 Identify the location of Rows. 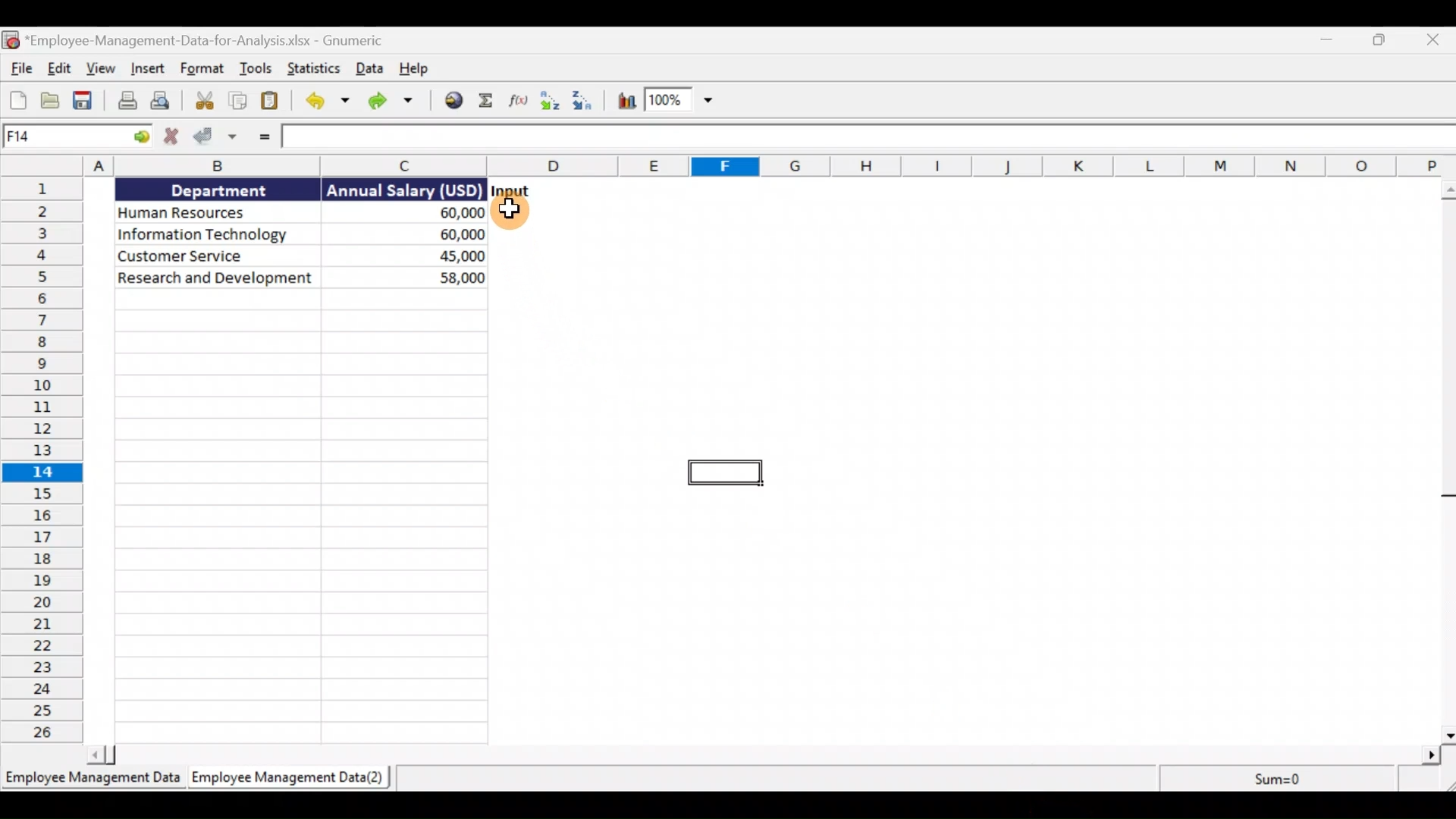
(49, 461).